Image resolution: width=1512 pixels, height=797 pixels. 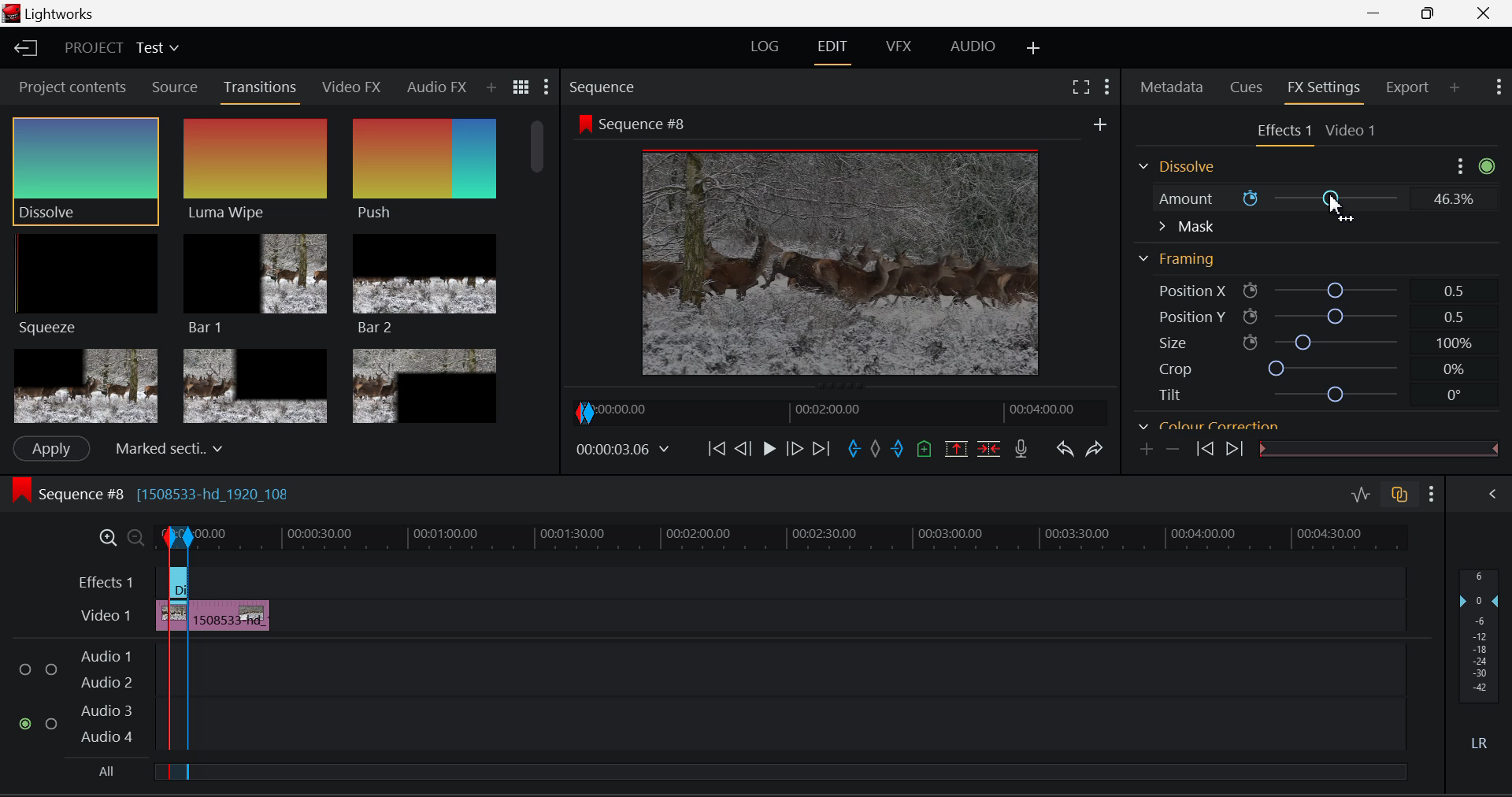 What do you see at coordinates (802, 536) in the screenshot?
I see `Project Timeline` at bounding box center [802, 536].